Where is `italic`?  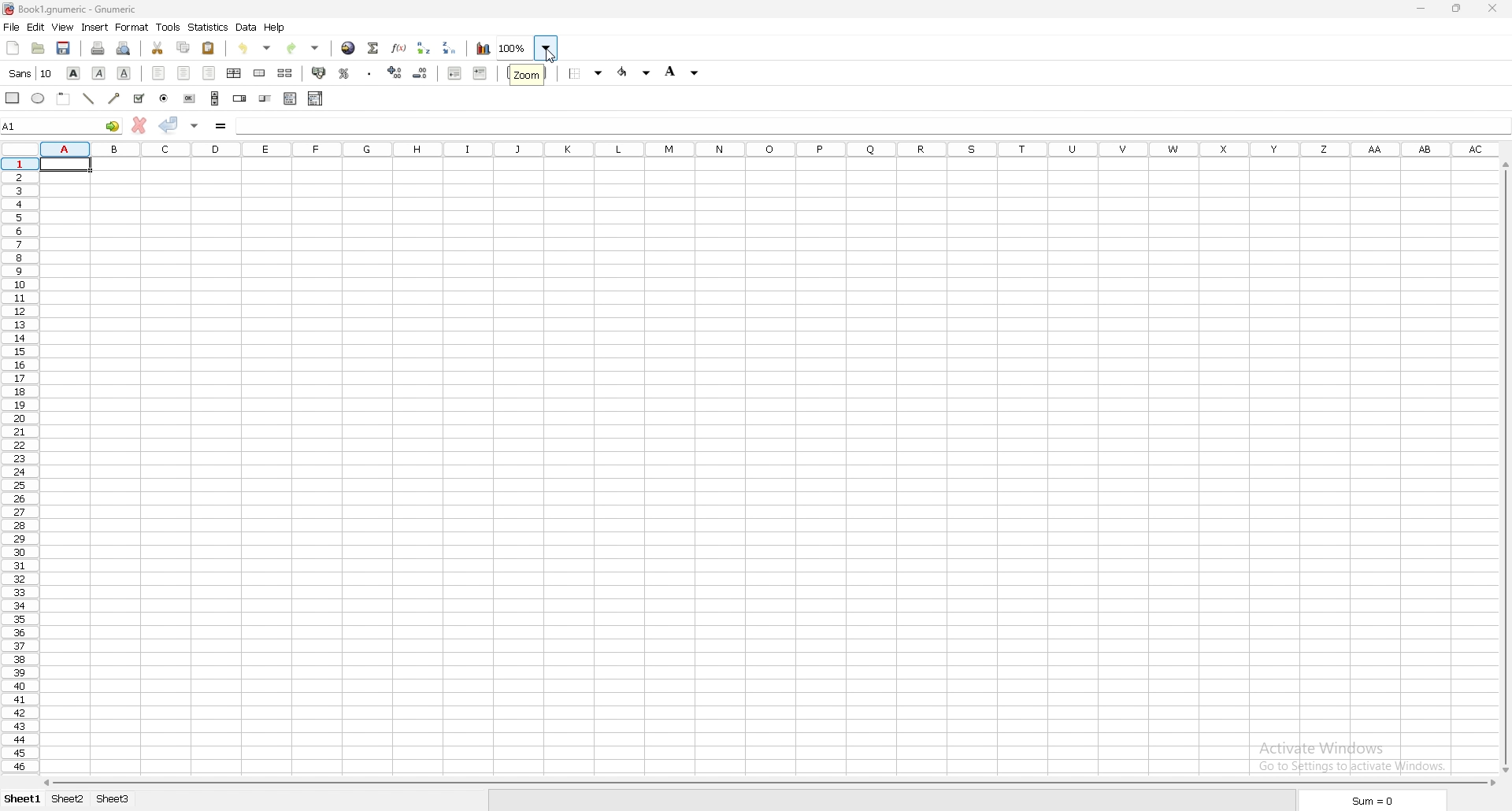
italic is located at coordinates (99, 73).